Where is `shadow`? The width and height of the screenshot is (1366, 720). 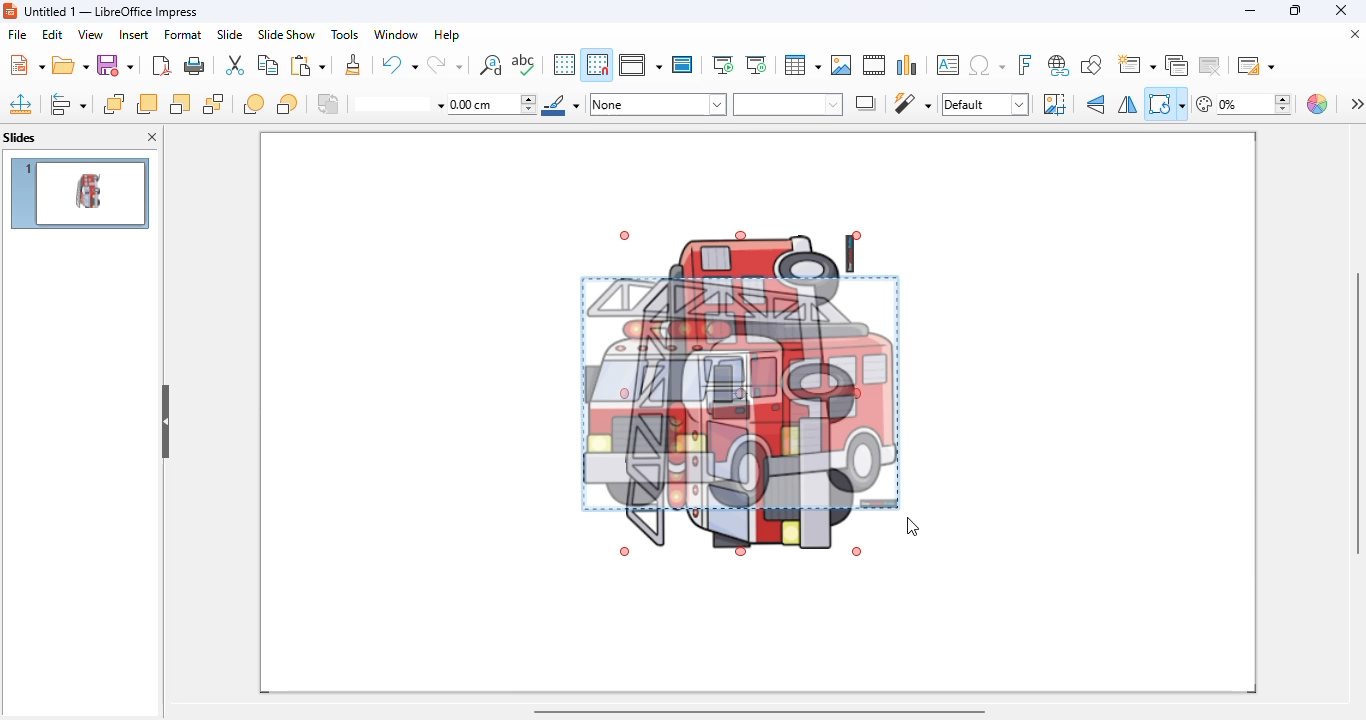 shadow is located at coordinates (867, 103).